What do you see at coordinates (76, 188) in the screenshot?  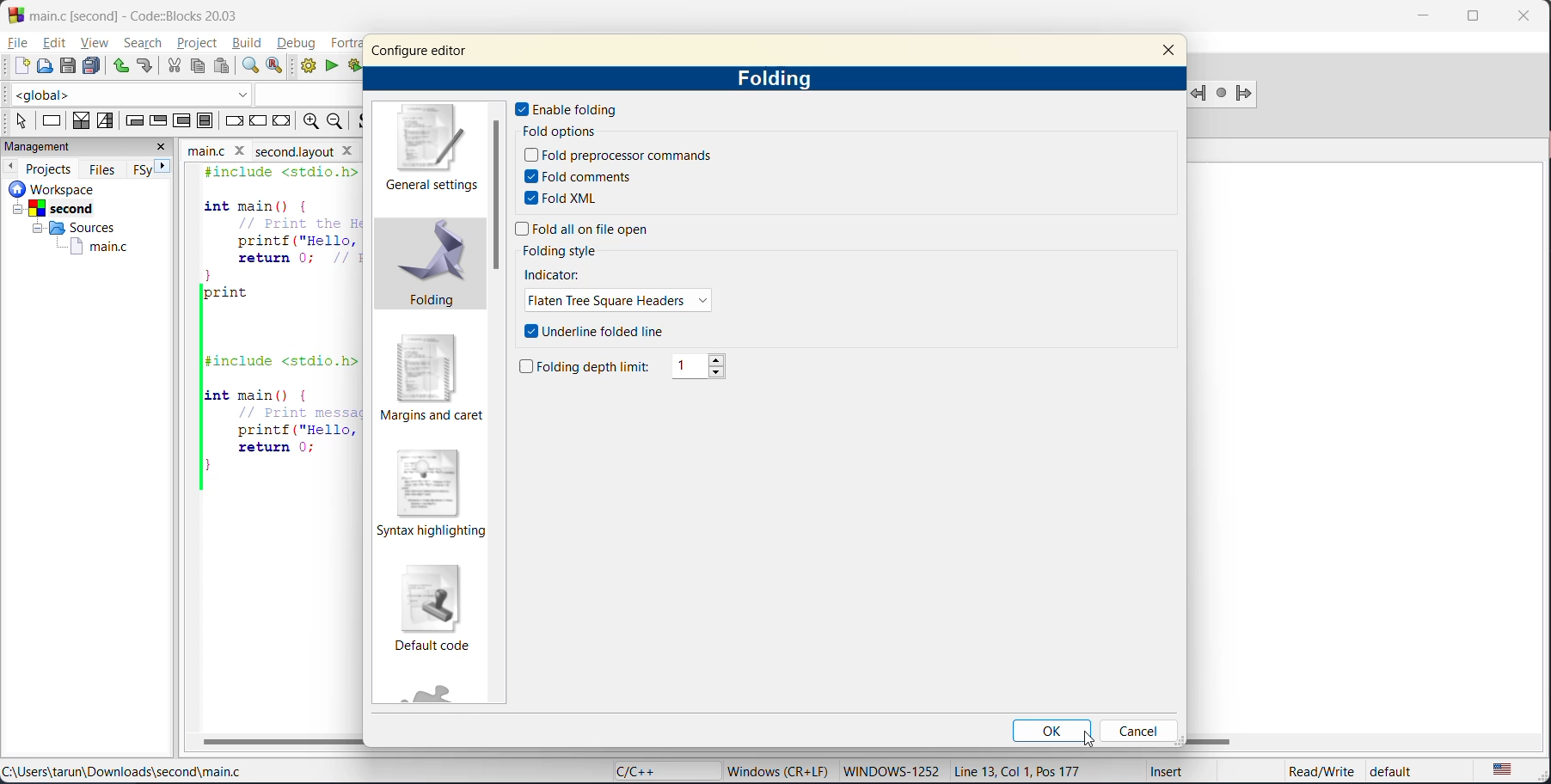 I see `workspace` at bounding box center [76, 188].